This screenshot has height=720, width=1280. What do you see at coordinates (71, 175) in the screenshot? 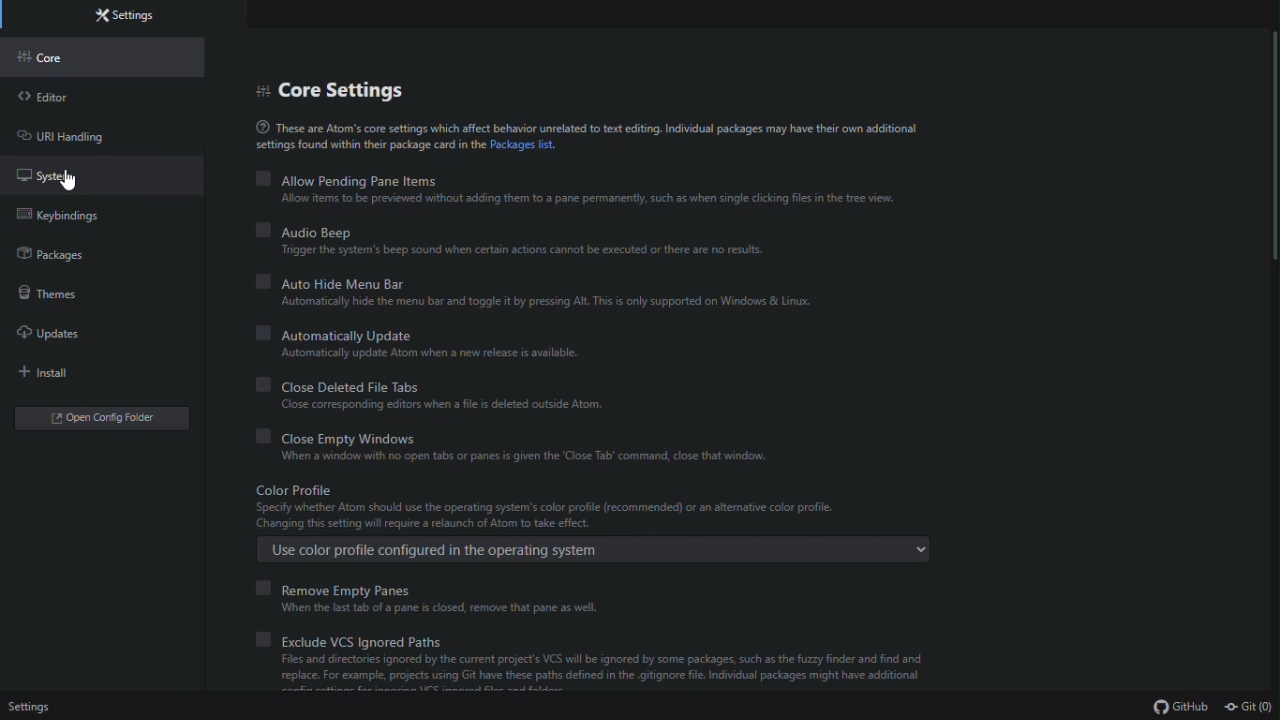
I see `System` at bounding box center [71, 175].